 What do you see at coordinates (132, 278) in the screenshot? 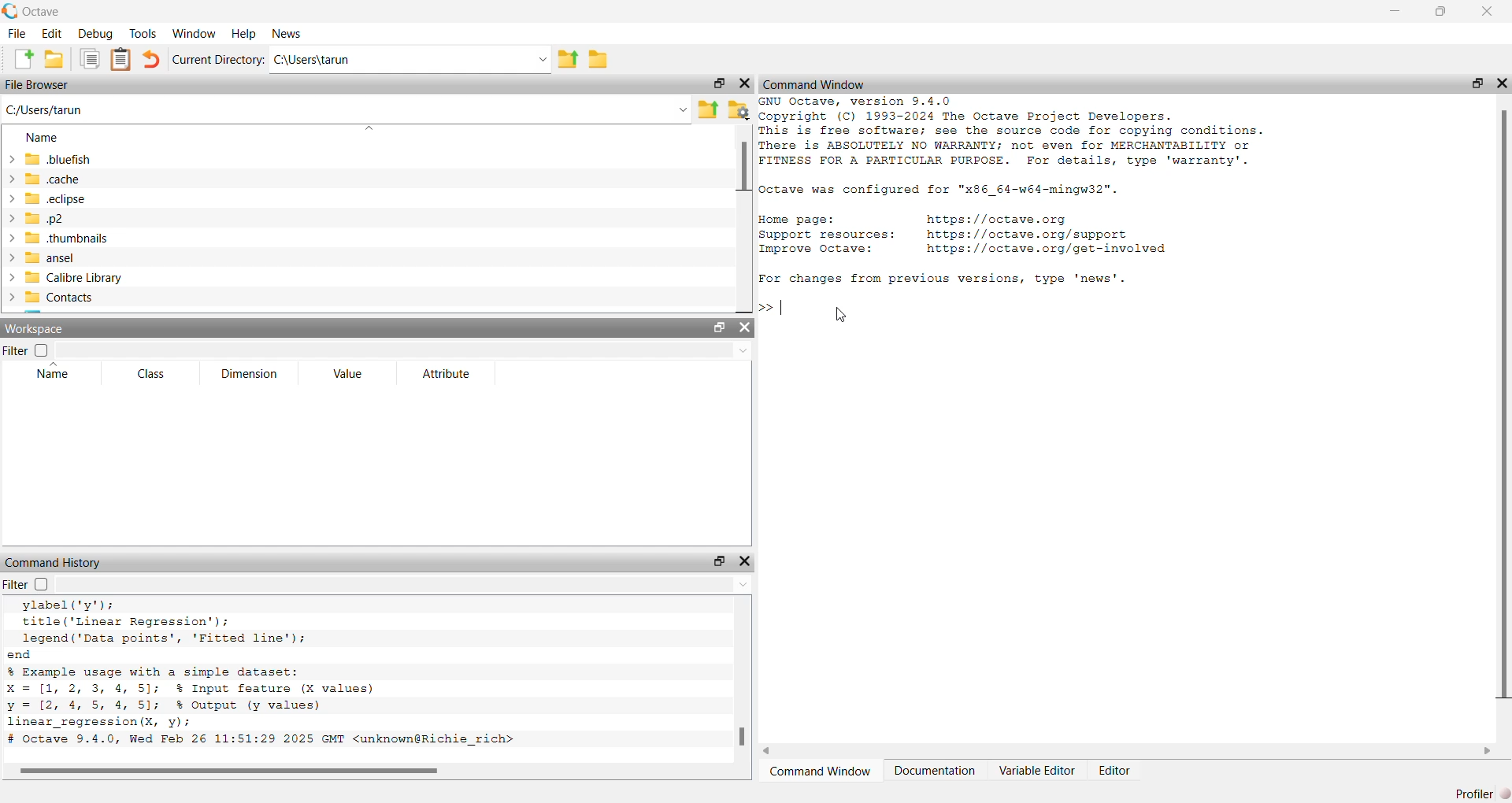
I see `calibre library` at bounding box center [132, 278].